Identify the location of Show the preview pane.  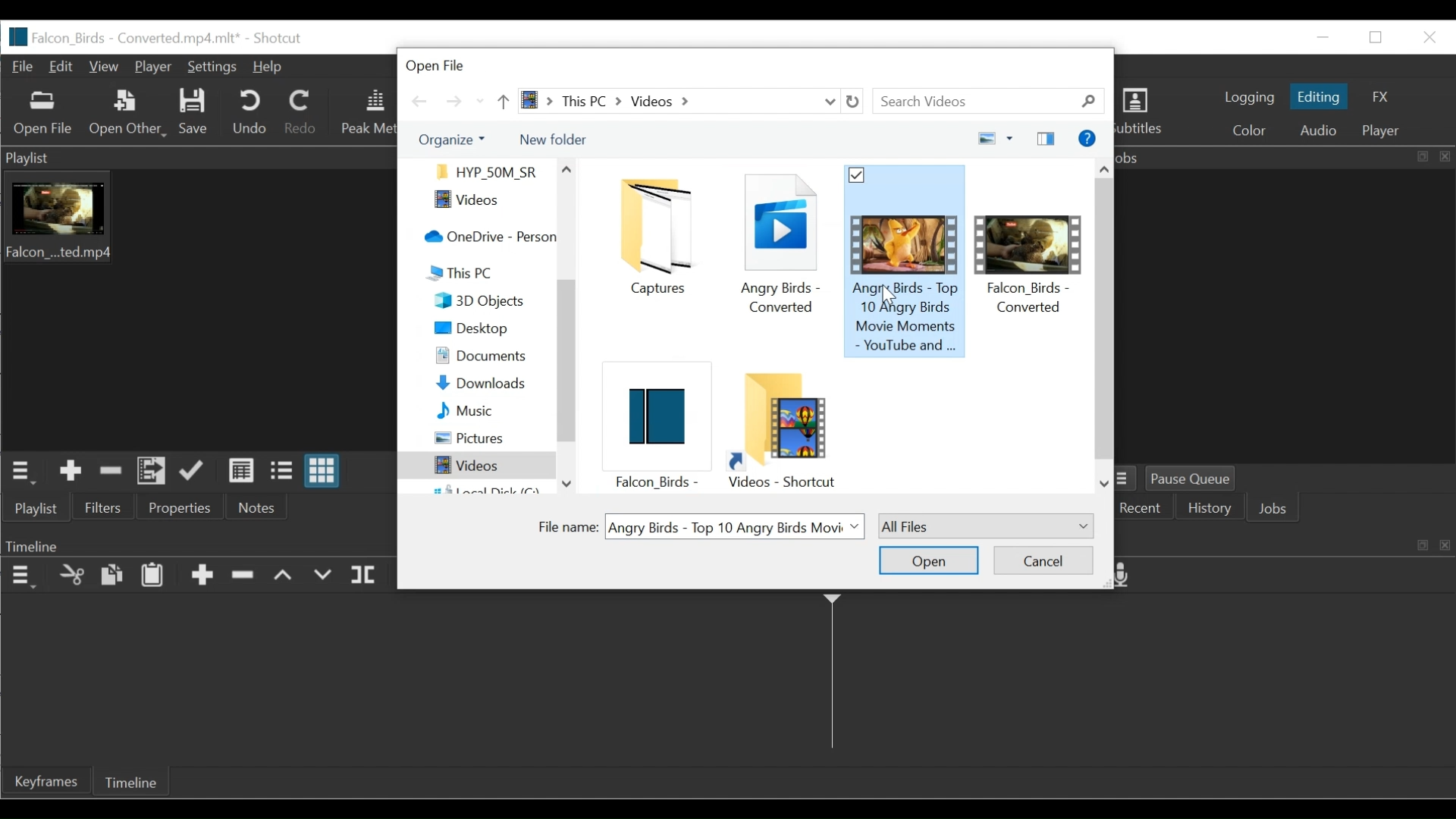
(1048, 138).